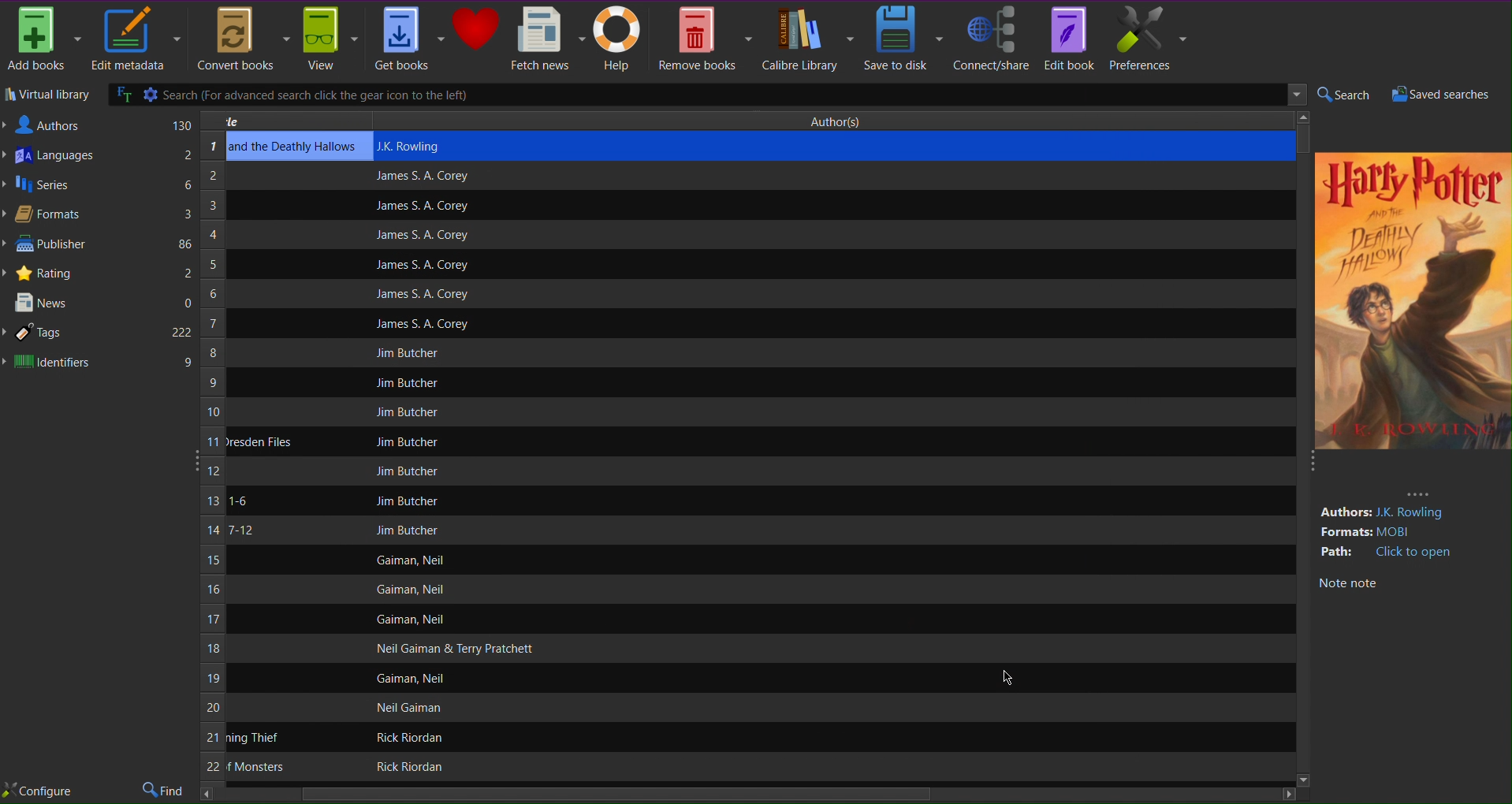 Image resolution: width=1512 pixels, height=804 pixels. Describe the element at coordinates (1006, 676) in the screenshot. I see `Cursor` at that location.